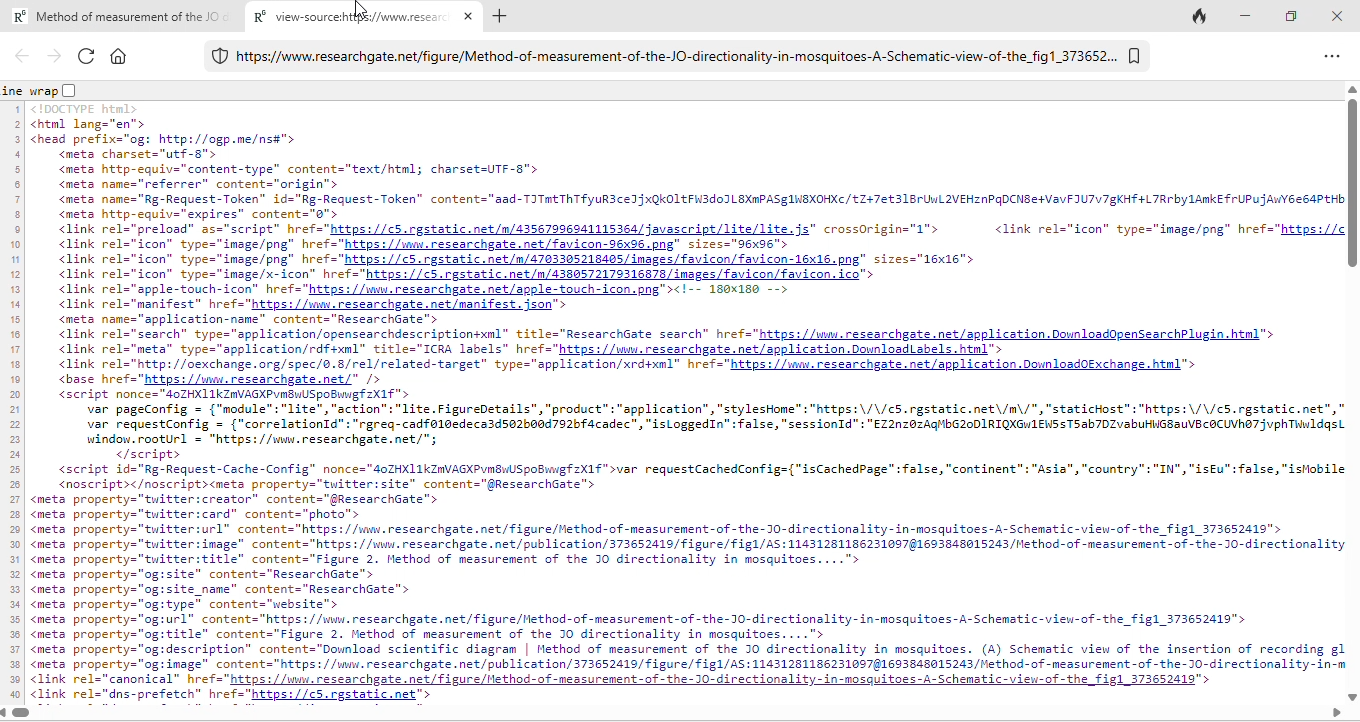 This screenshot has height=722, width=1360. I want to click on track ta, so click(1198, 14).